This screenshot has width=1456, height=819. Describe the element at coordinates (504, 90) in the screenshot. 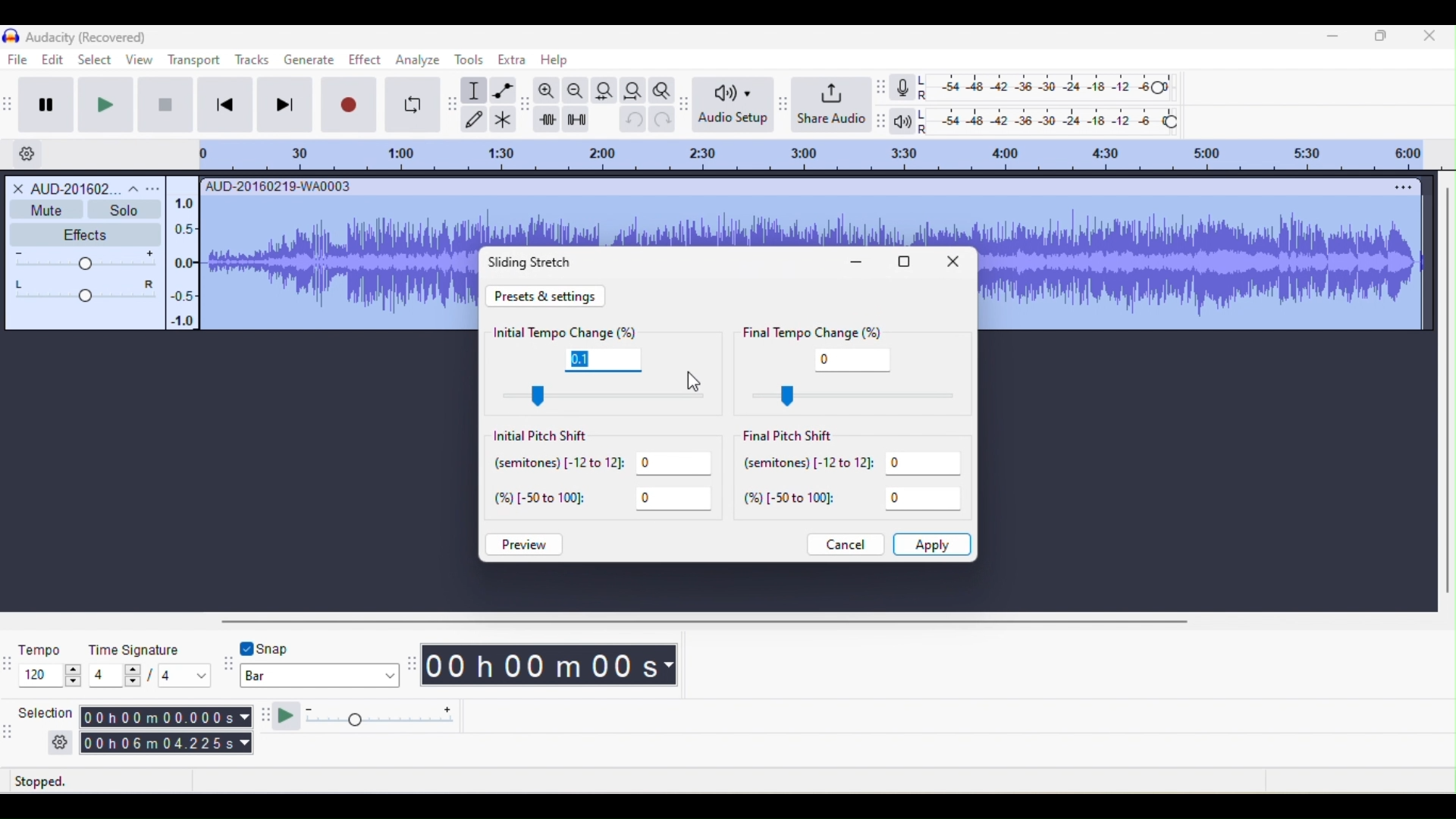

I see `envelope tool` at that location.